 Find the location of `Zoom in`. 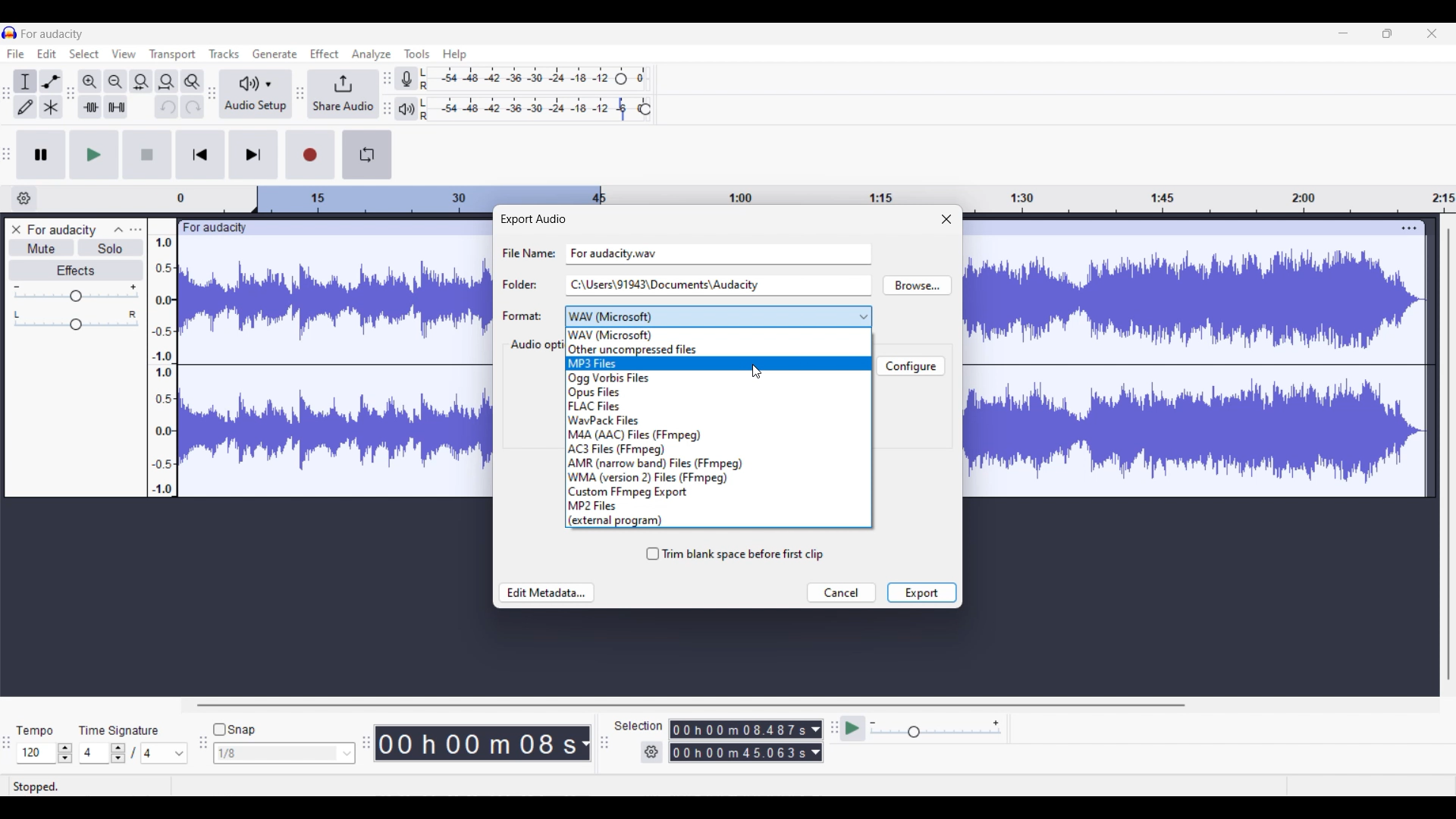

Zoom in is located at coordinates (89, 82).